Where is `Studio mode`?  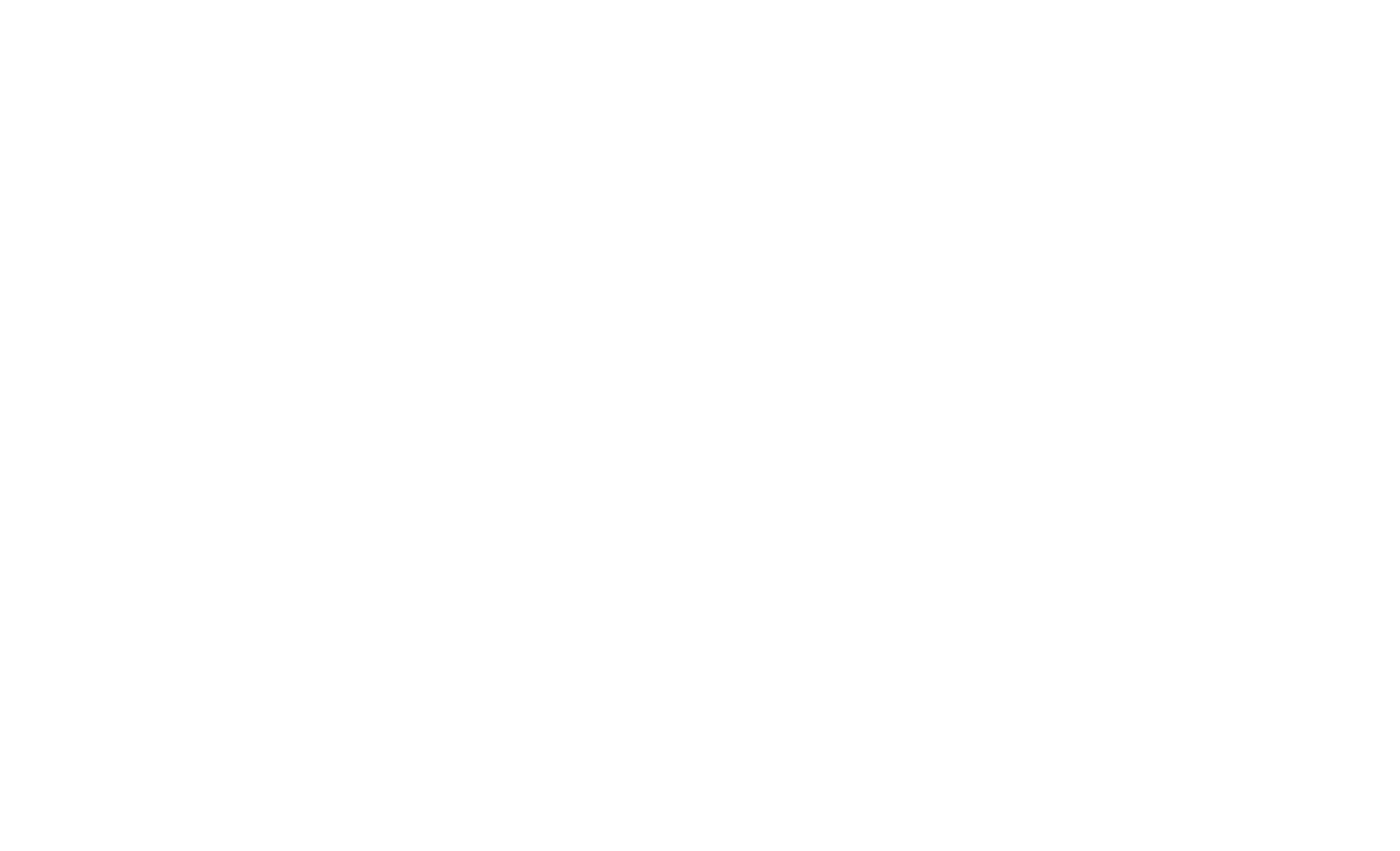
Studio mode is located at coordinates (1269, 713).